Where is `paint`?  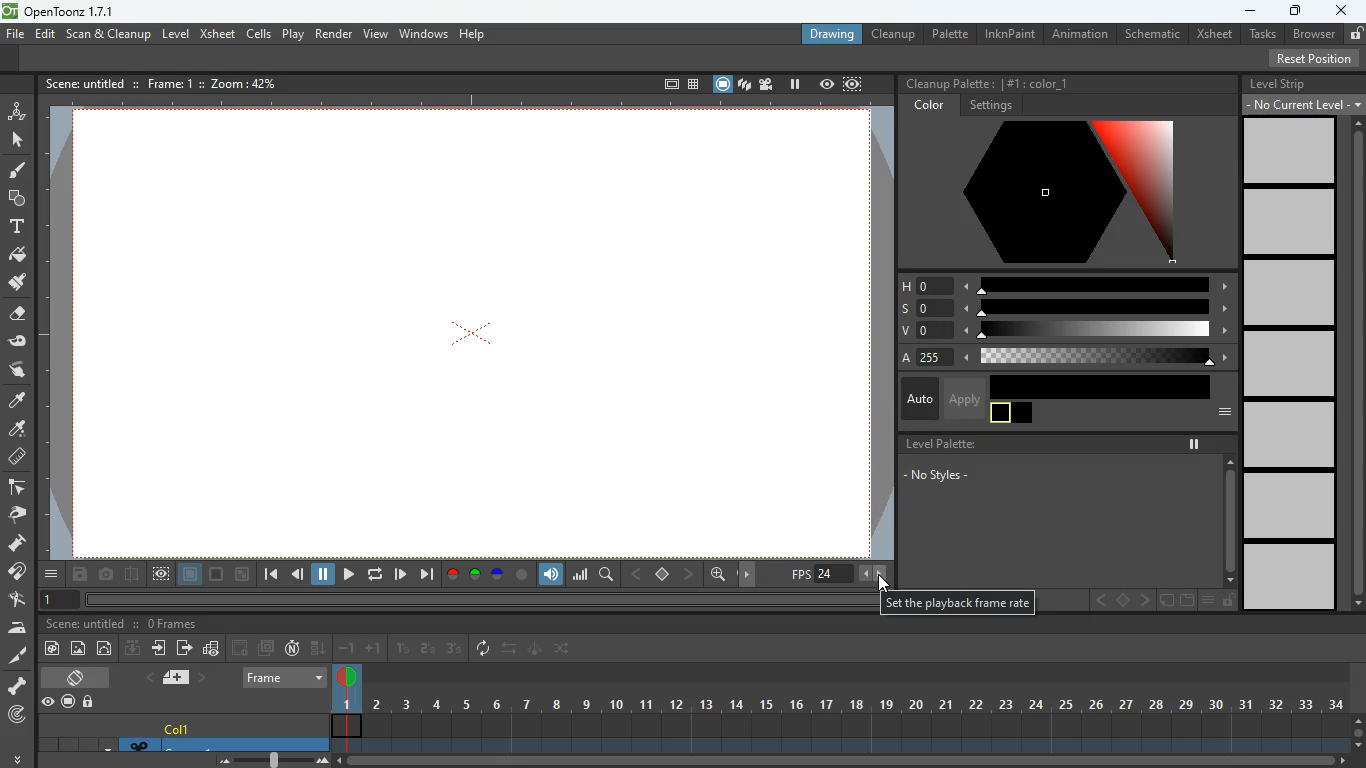
paint is located at coordinates (21, 256).